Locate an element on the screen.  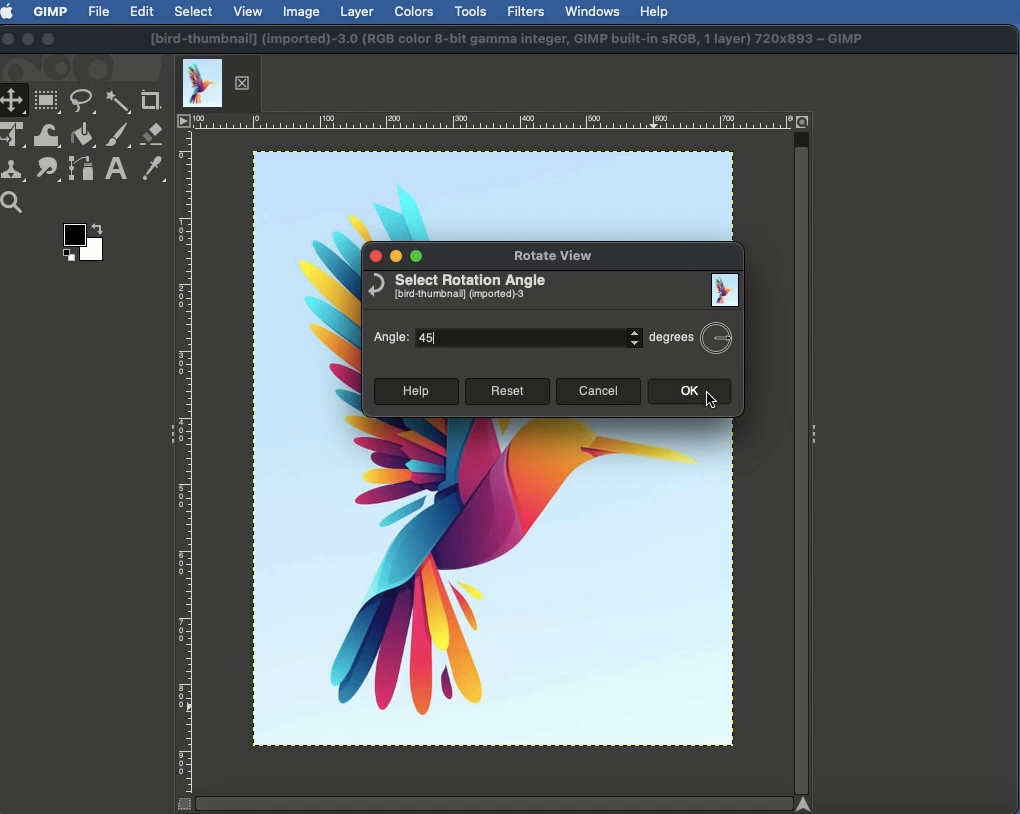
Color picker is located at coordinates (151, 170).